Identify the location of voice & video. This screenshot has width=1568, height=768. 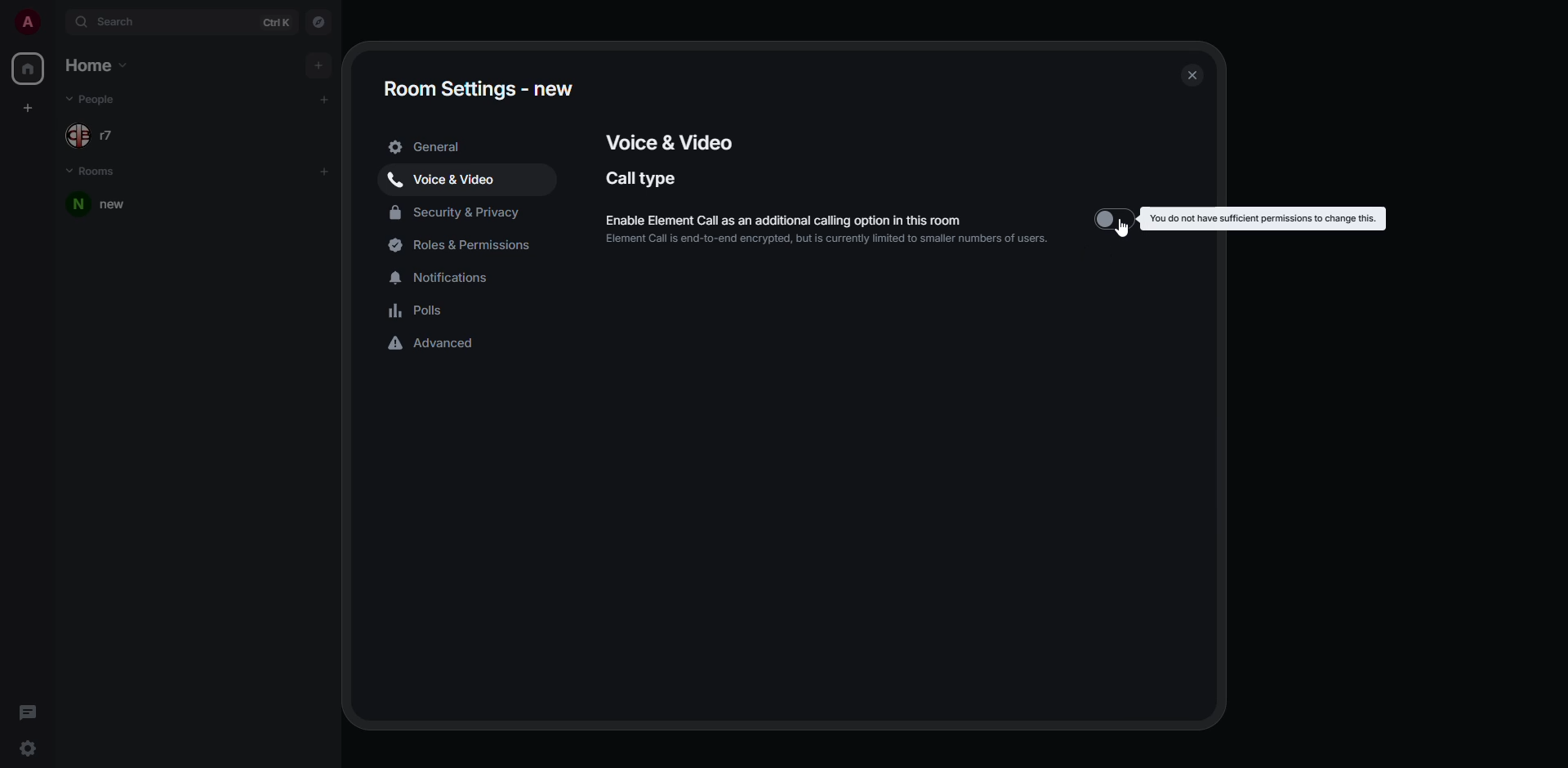
(669, 139).